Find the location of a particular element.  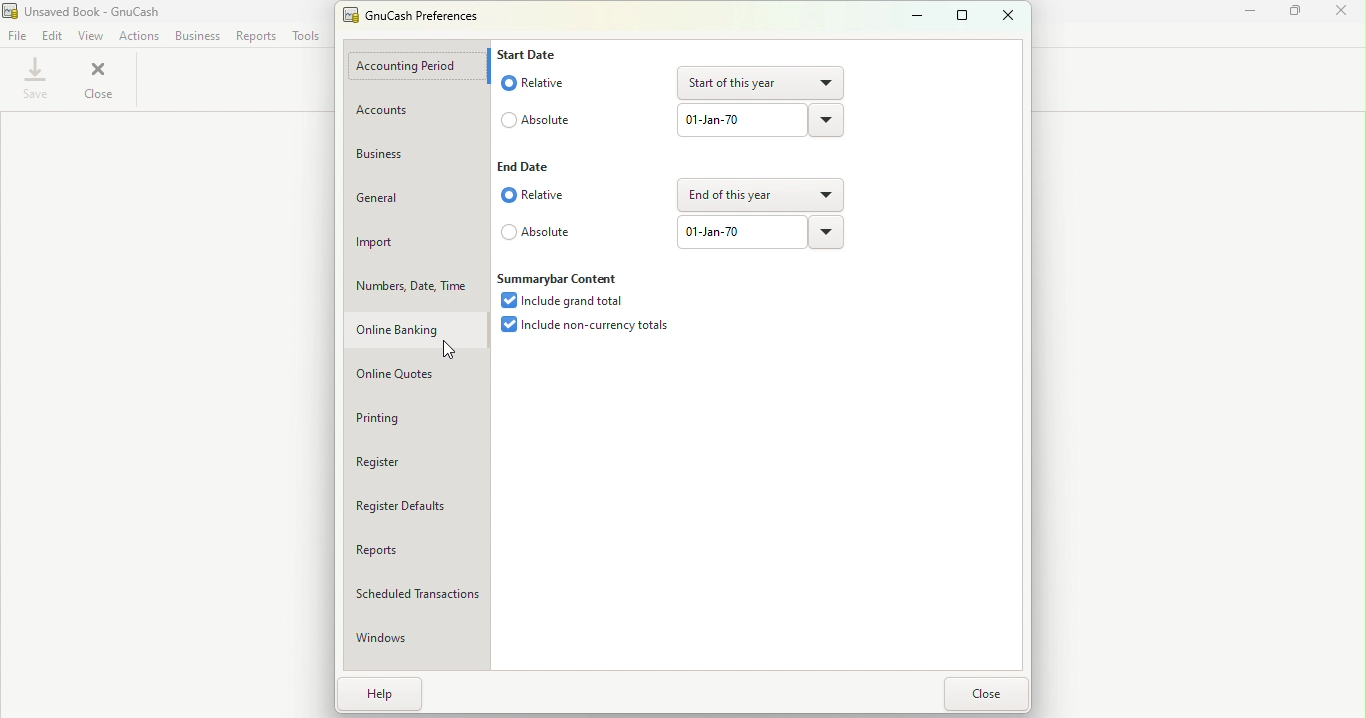

Reports is located at coordinates (256, 39).